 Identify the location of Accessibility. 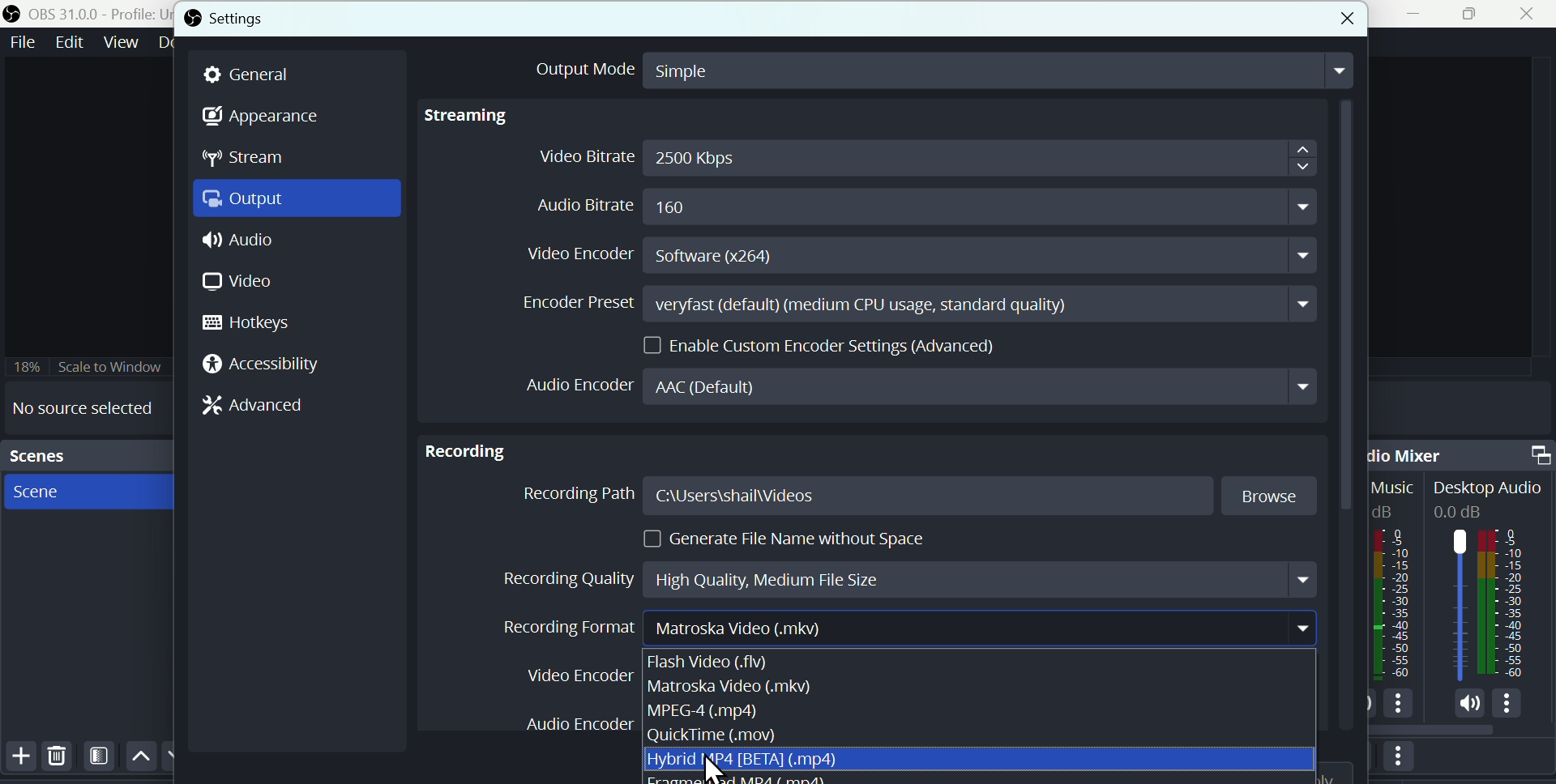
(268, 363).